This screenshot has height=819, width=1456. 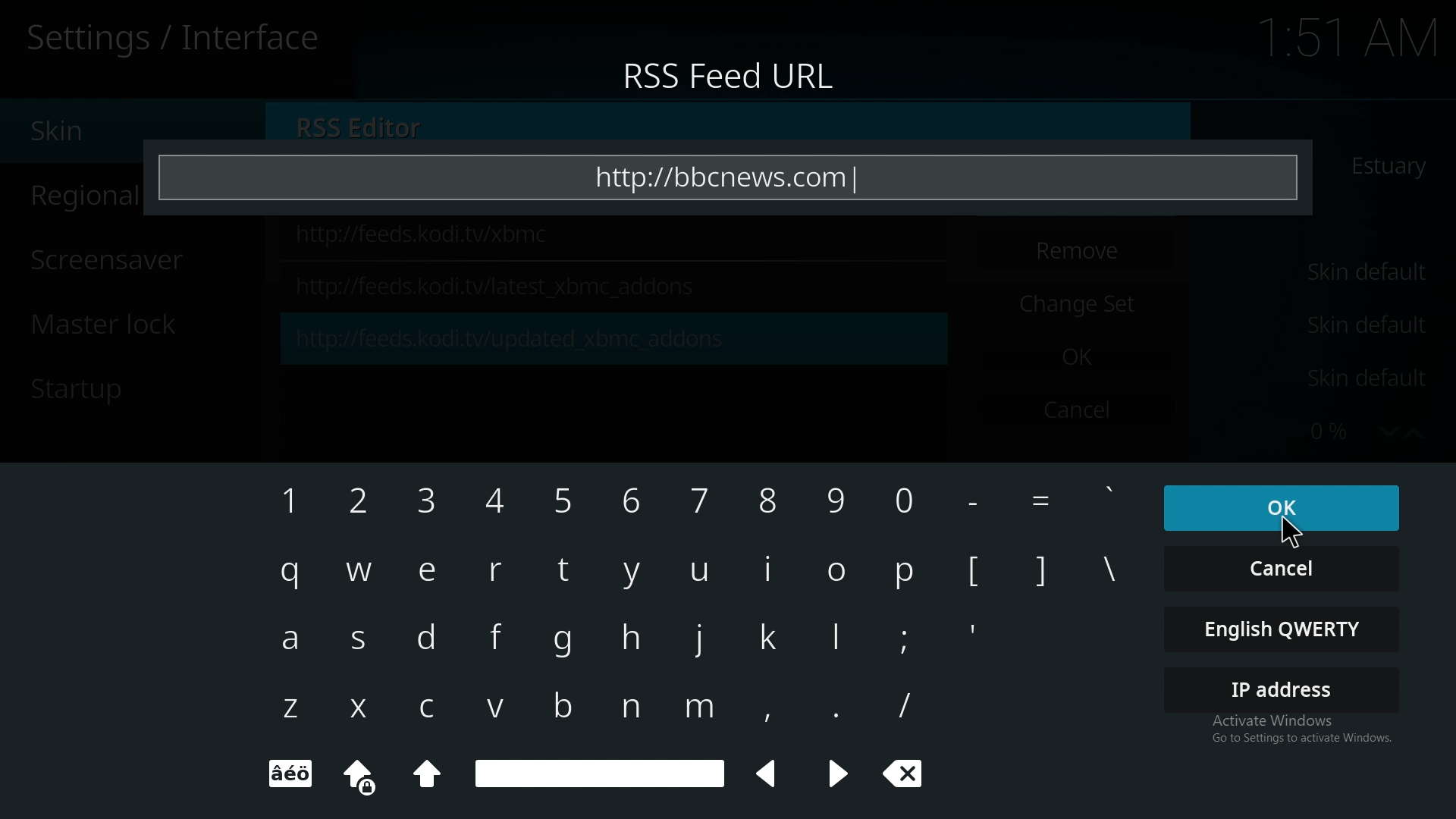 I want to click on space, so click(x=598, y=770).